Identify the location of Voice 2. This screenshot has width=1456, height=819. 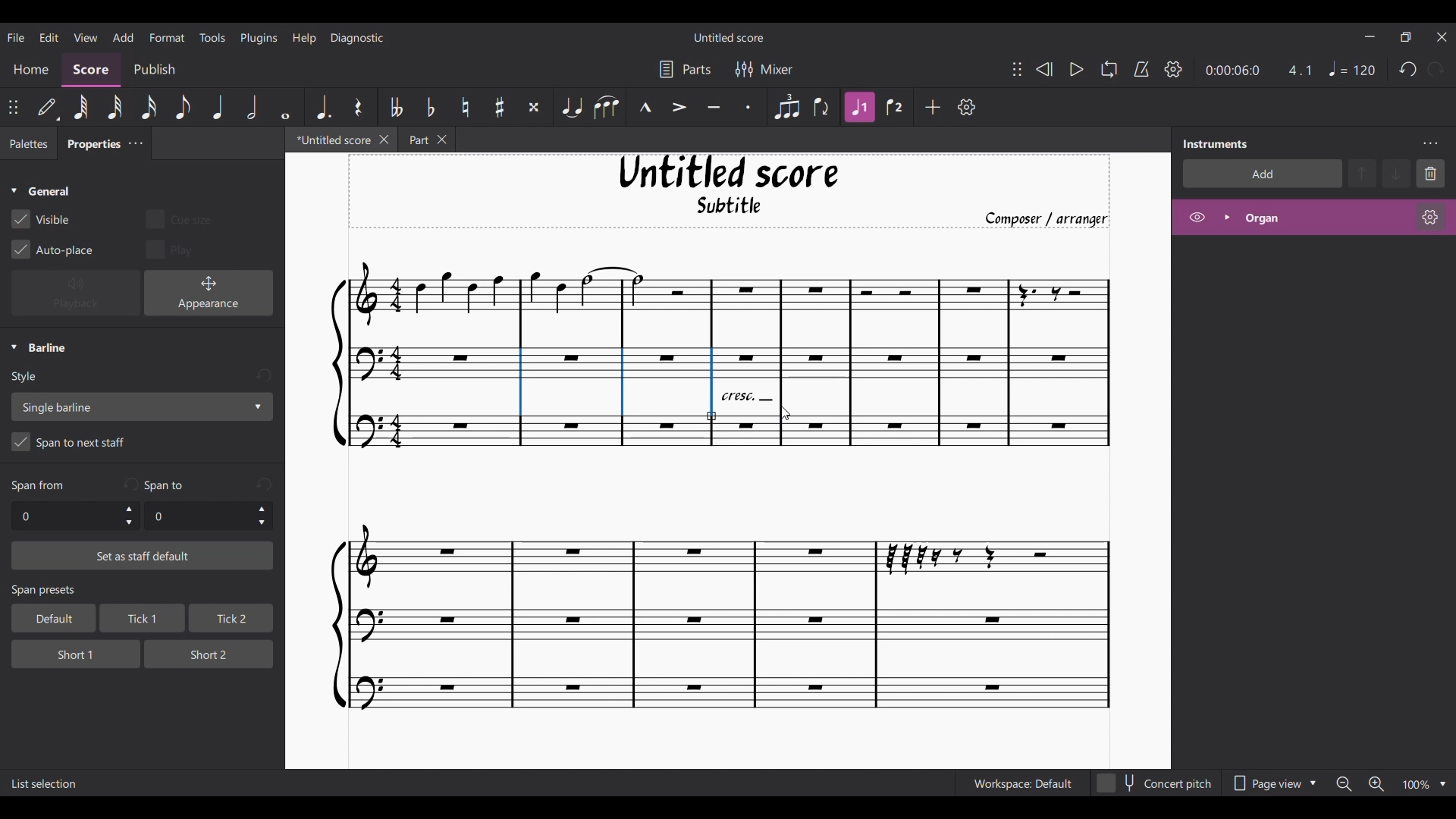
(896, 107).